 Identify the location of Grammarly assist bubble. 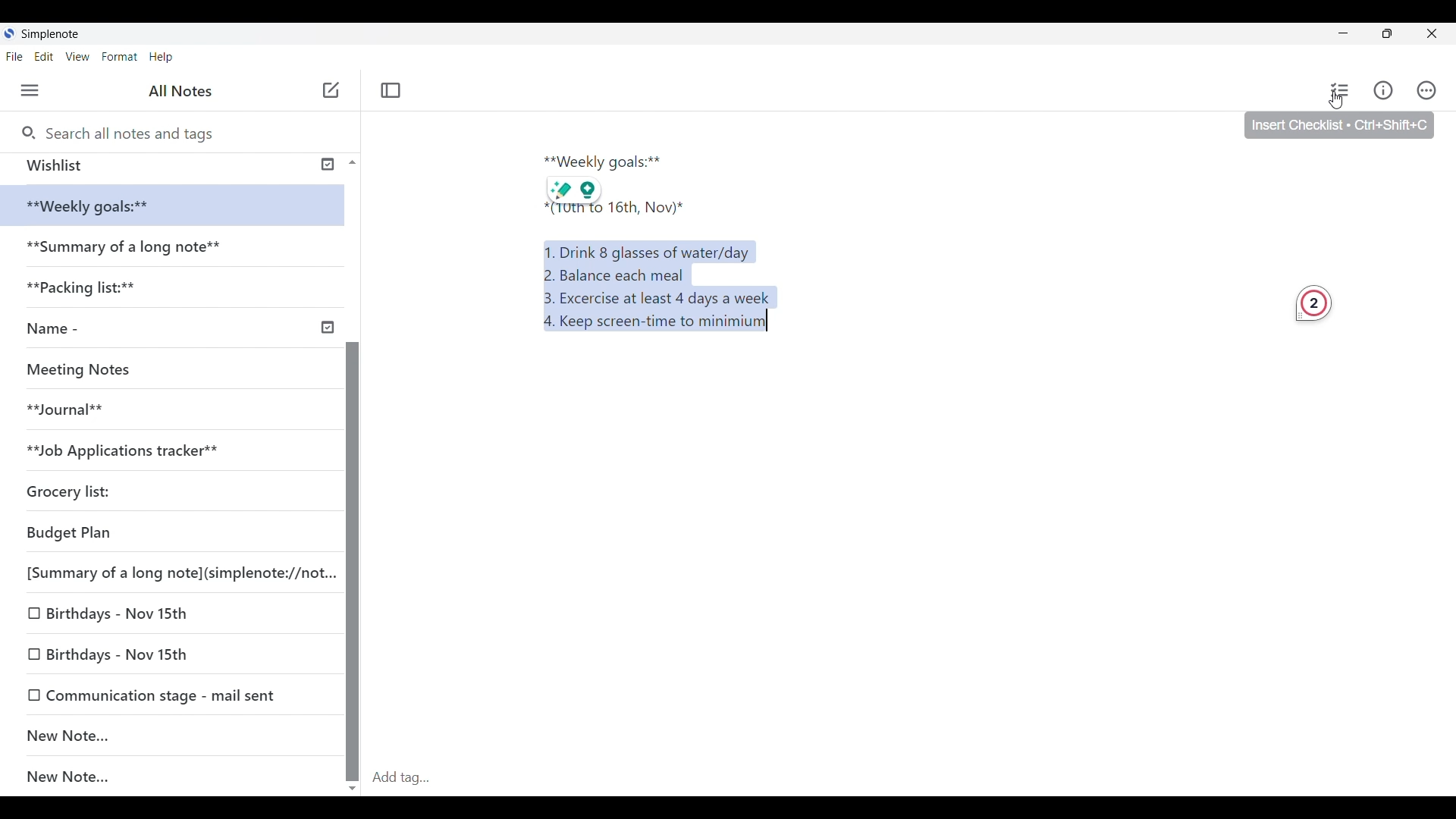
(1313, 306).